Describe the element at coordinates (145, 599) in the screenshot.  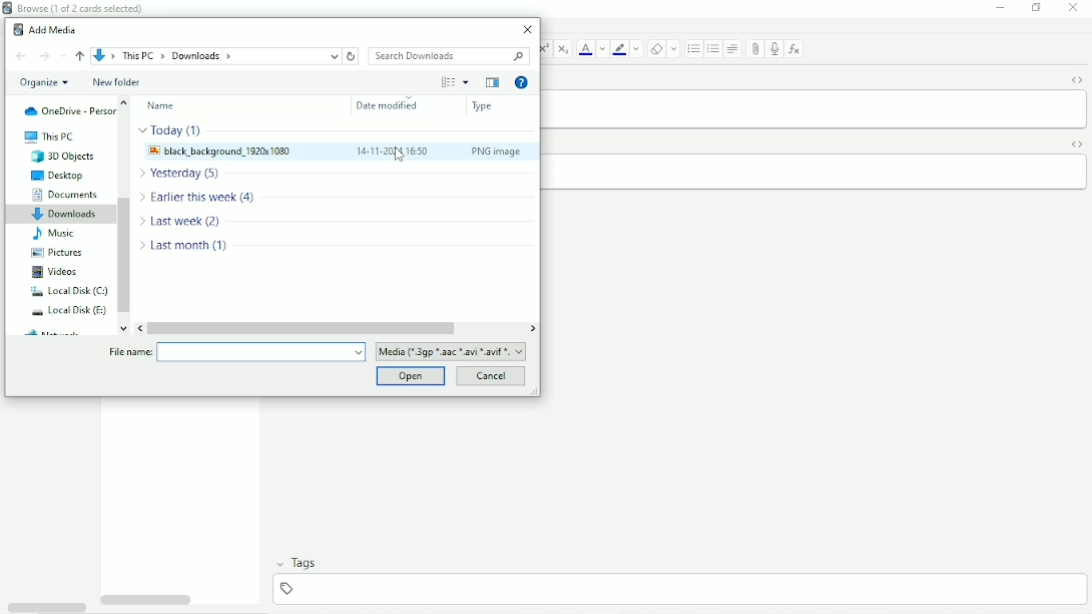
I see `Horizontal scrollbar` at that location.